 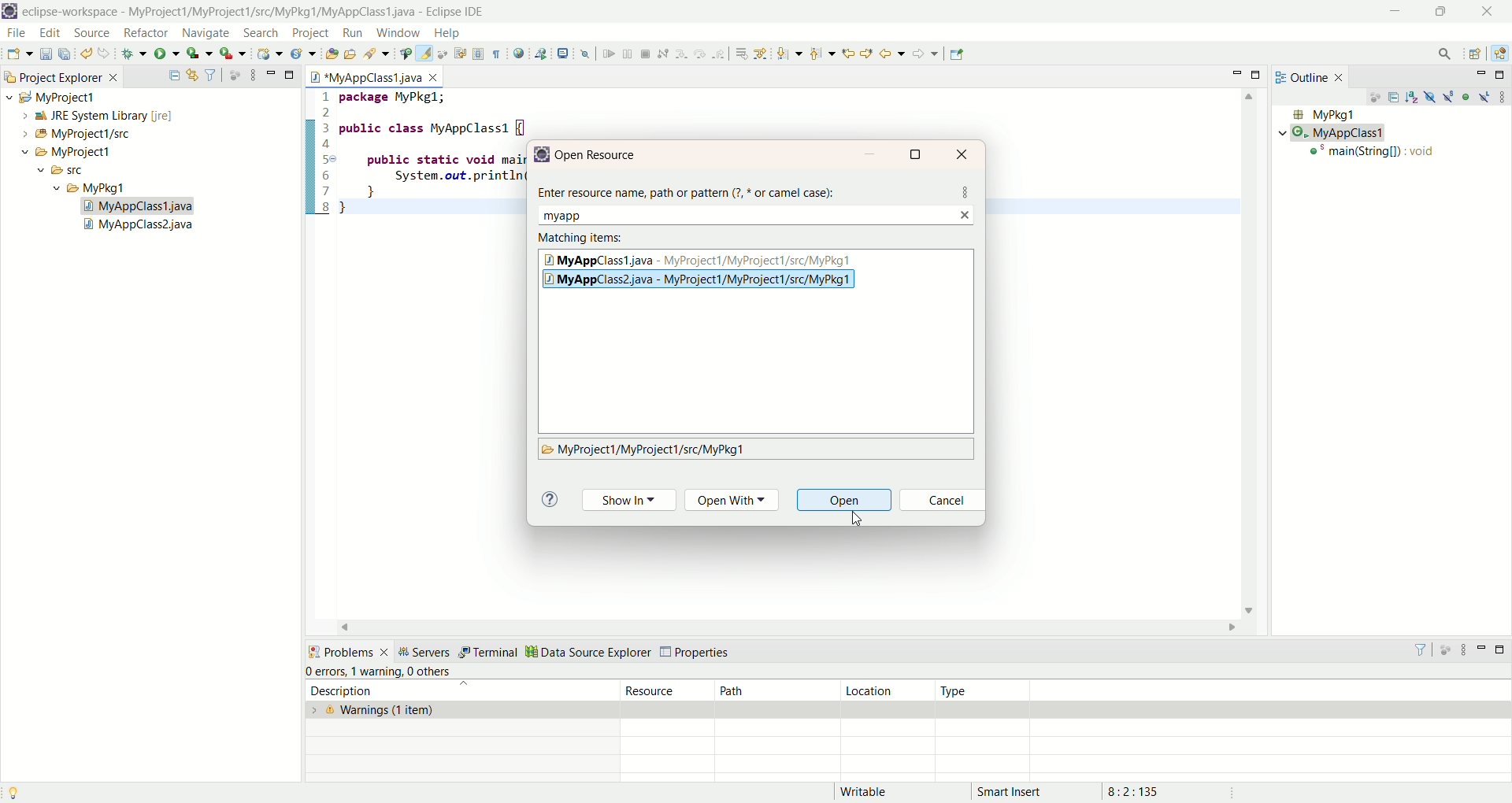 What do you see at coordinates (397, 33) in the screenshot?
I see `window` at bounding box center [397, 33].